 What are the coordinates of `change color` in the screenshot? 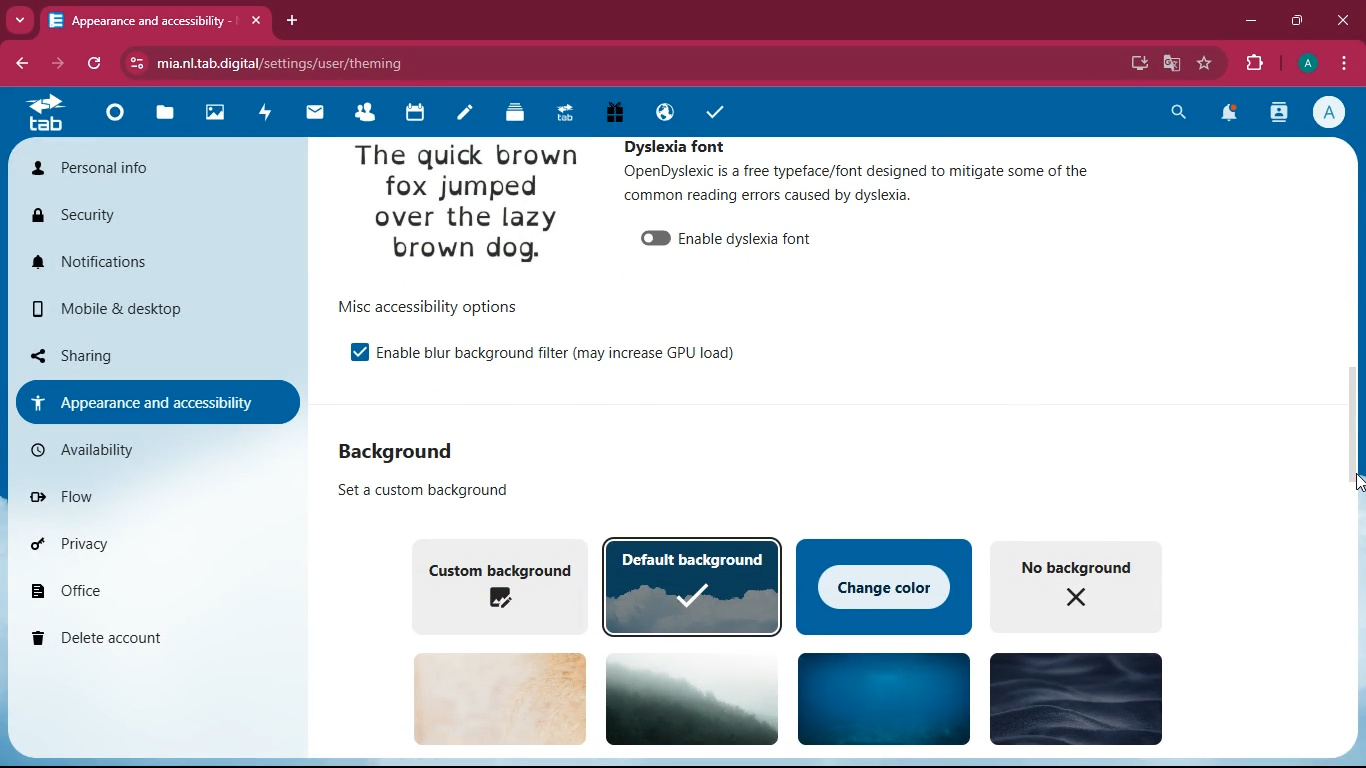 It's located at (884, 585).